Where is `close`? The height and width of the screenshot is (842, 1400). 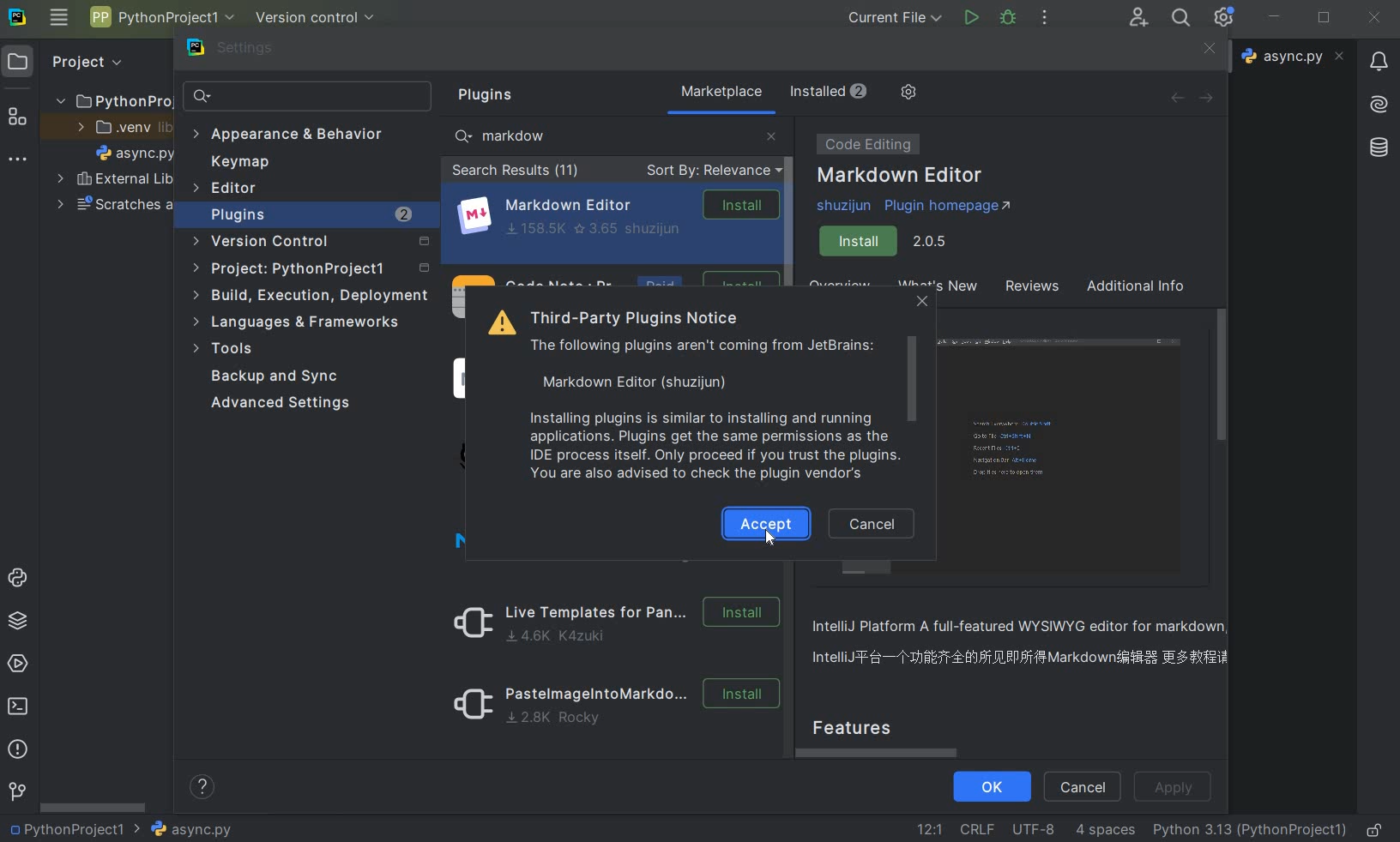 close is located at coordinates (771, 135).